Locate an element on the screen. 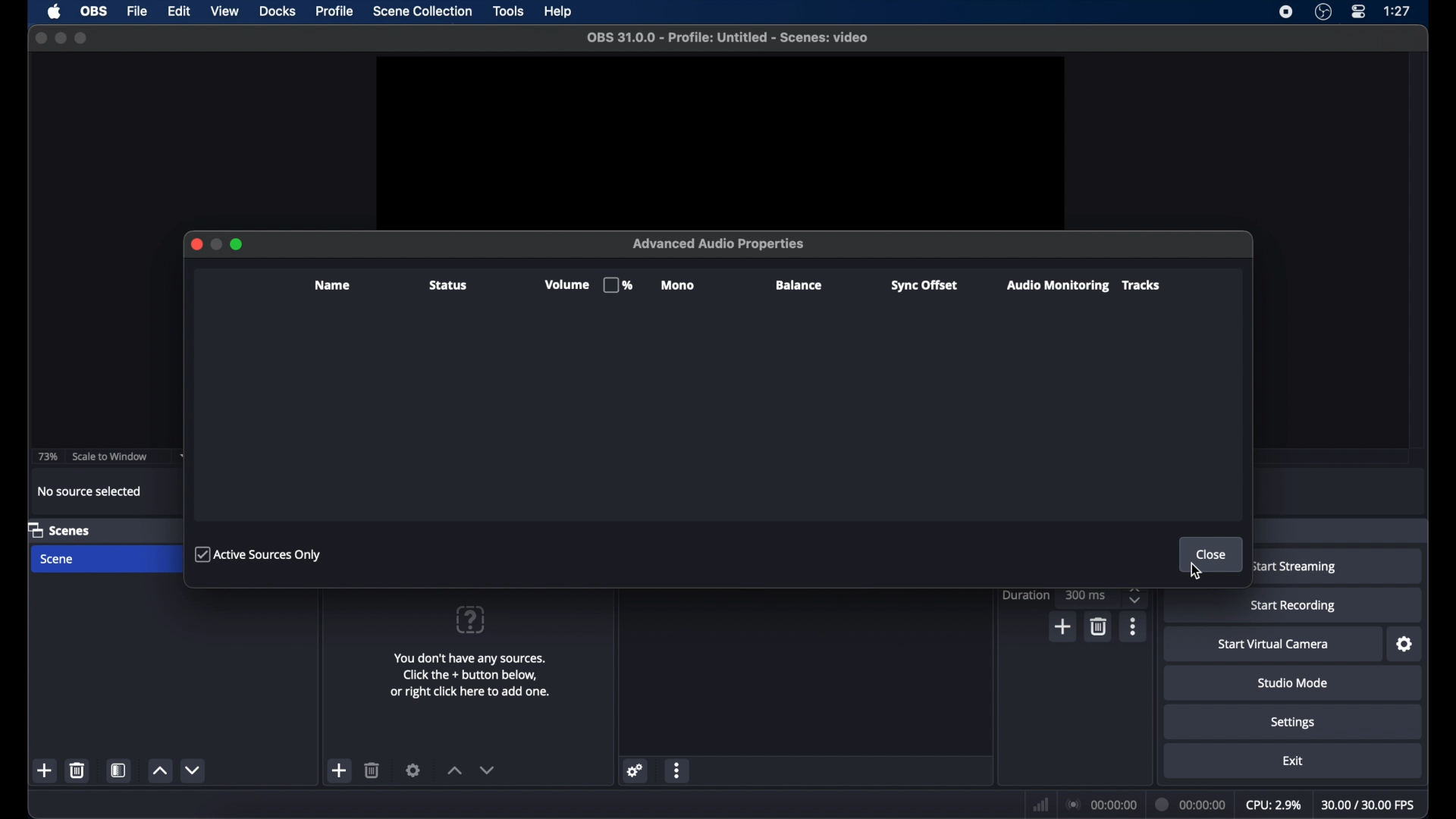  active sources  only is located at coordinates (259, 553).